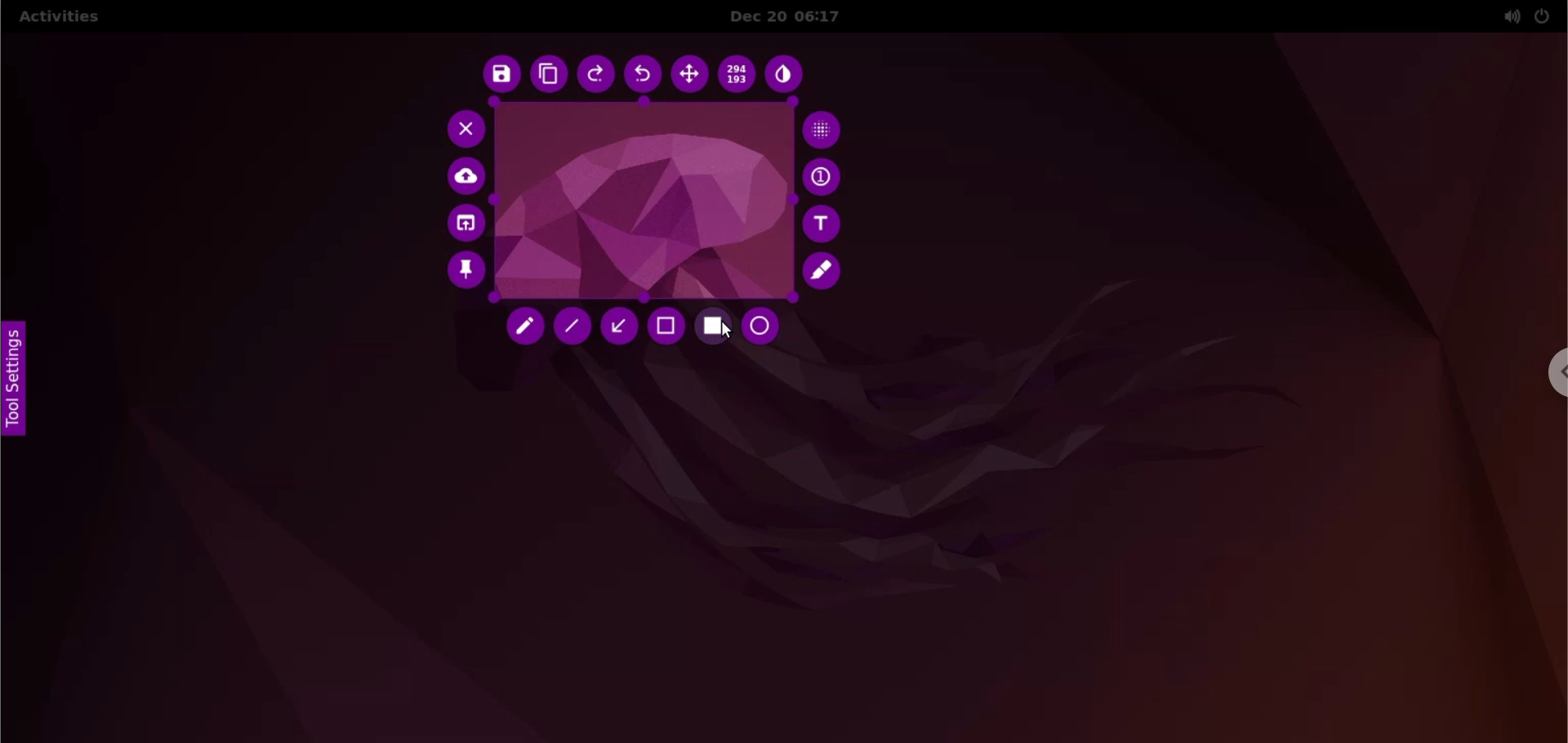 This screenshot has height=743, width=1568. Describe the element at coordinates (498, 75) in the screenshot. I see `save` at that location.